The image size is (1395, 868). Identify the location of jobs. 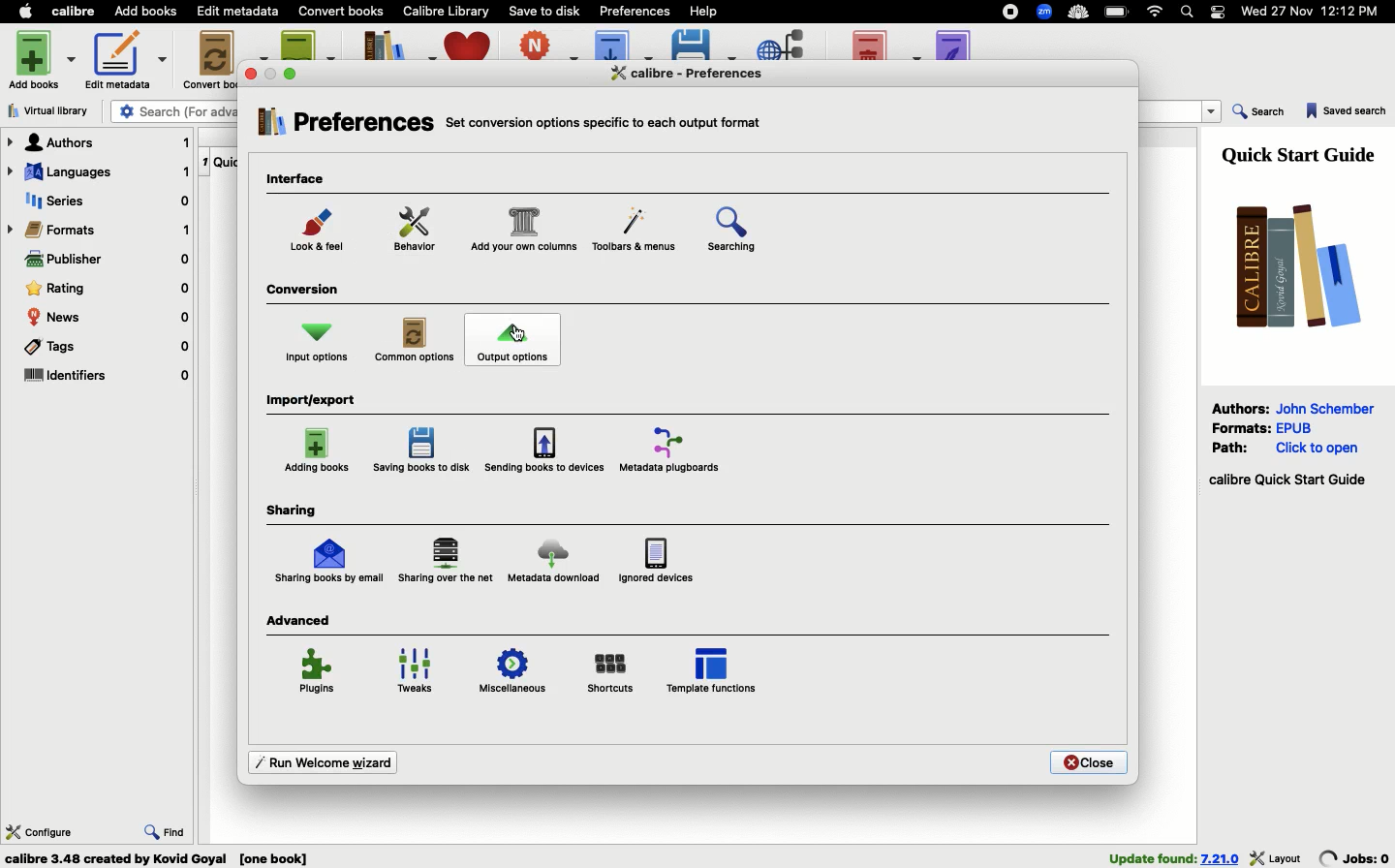
(1355, 857).